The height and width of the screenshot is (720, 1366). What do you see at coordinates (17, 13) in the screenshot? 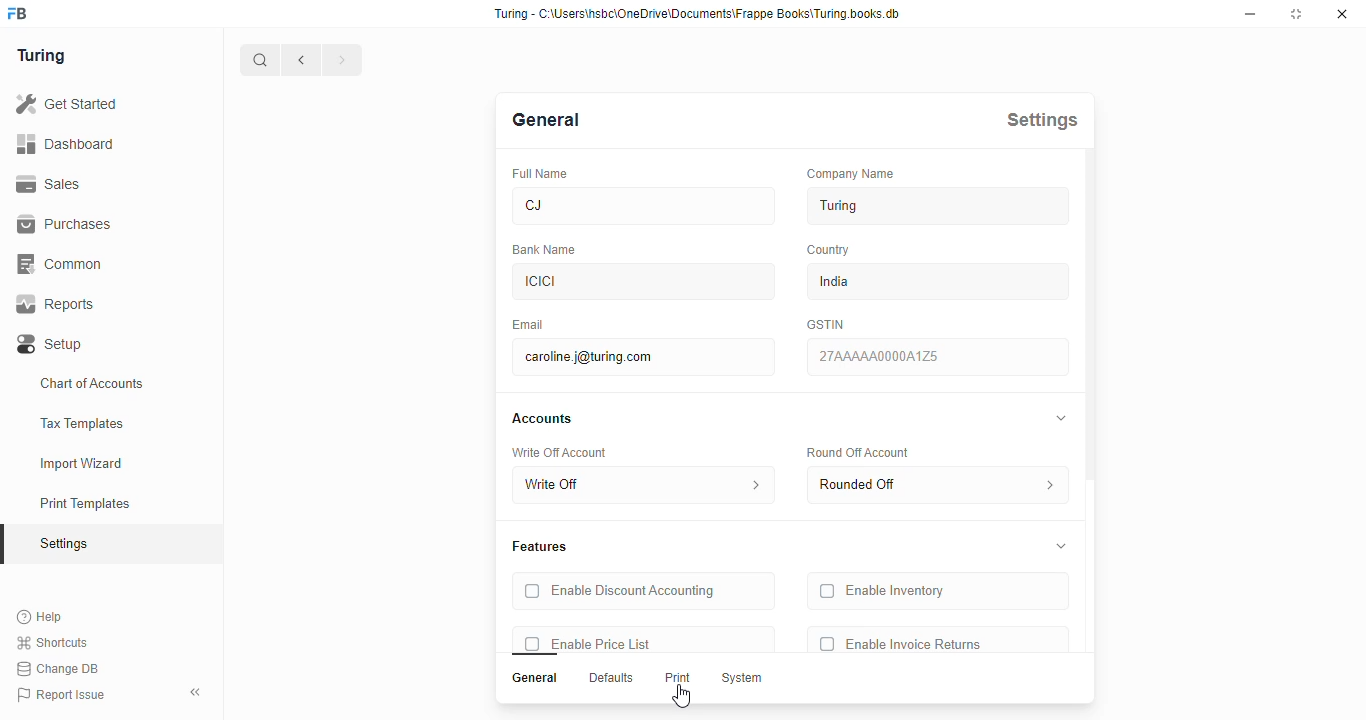
I see `FB-logo` at bounding box center [17, 13].